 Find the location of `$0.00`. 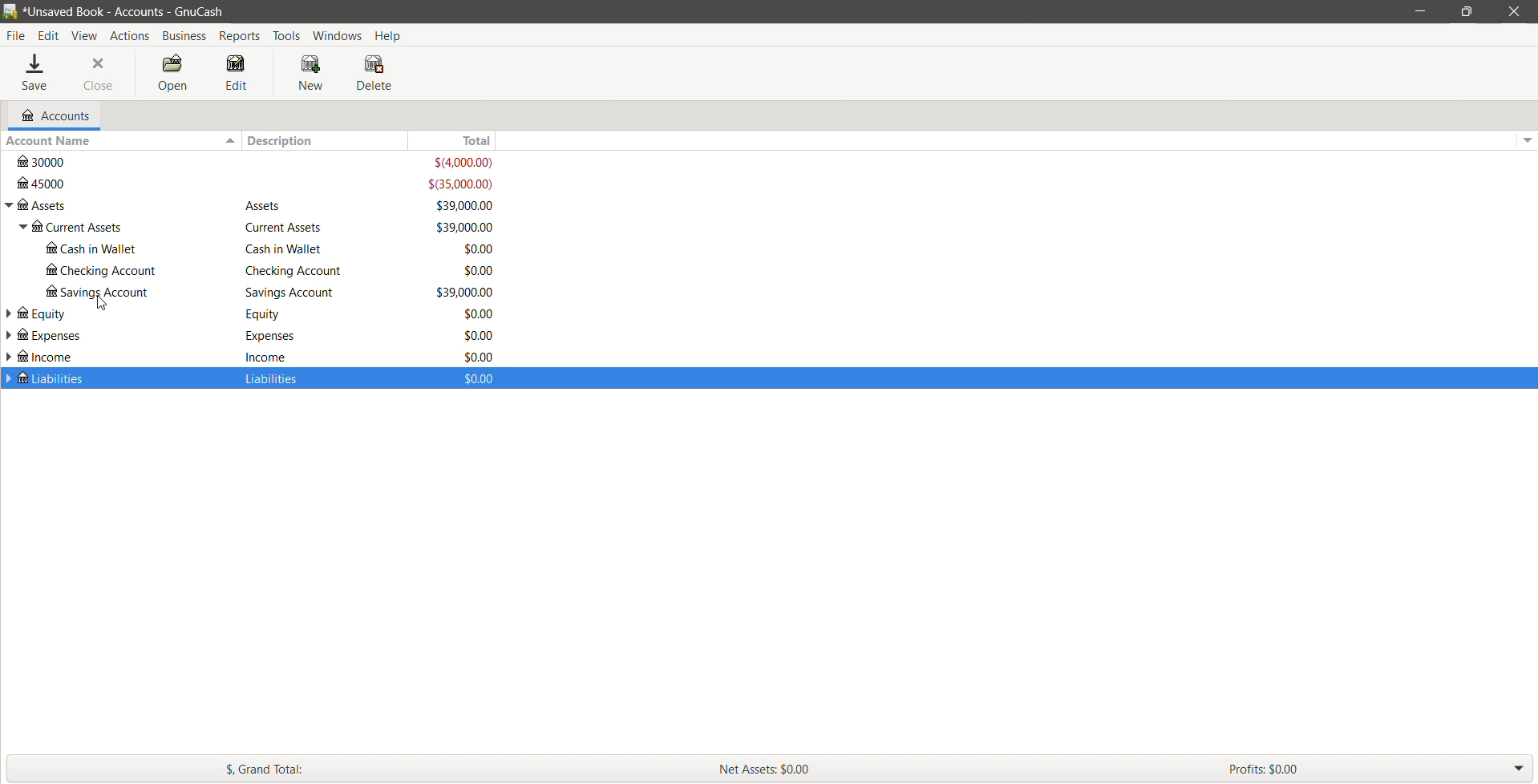

$0.00 is located at coordinates (480, 356).